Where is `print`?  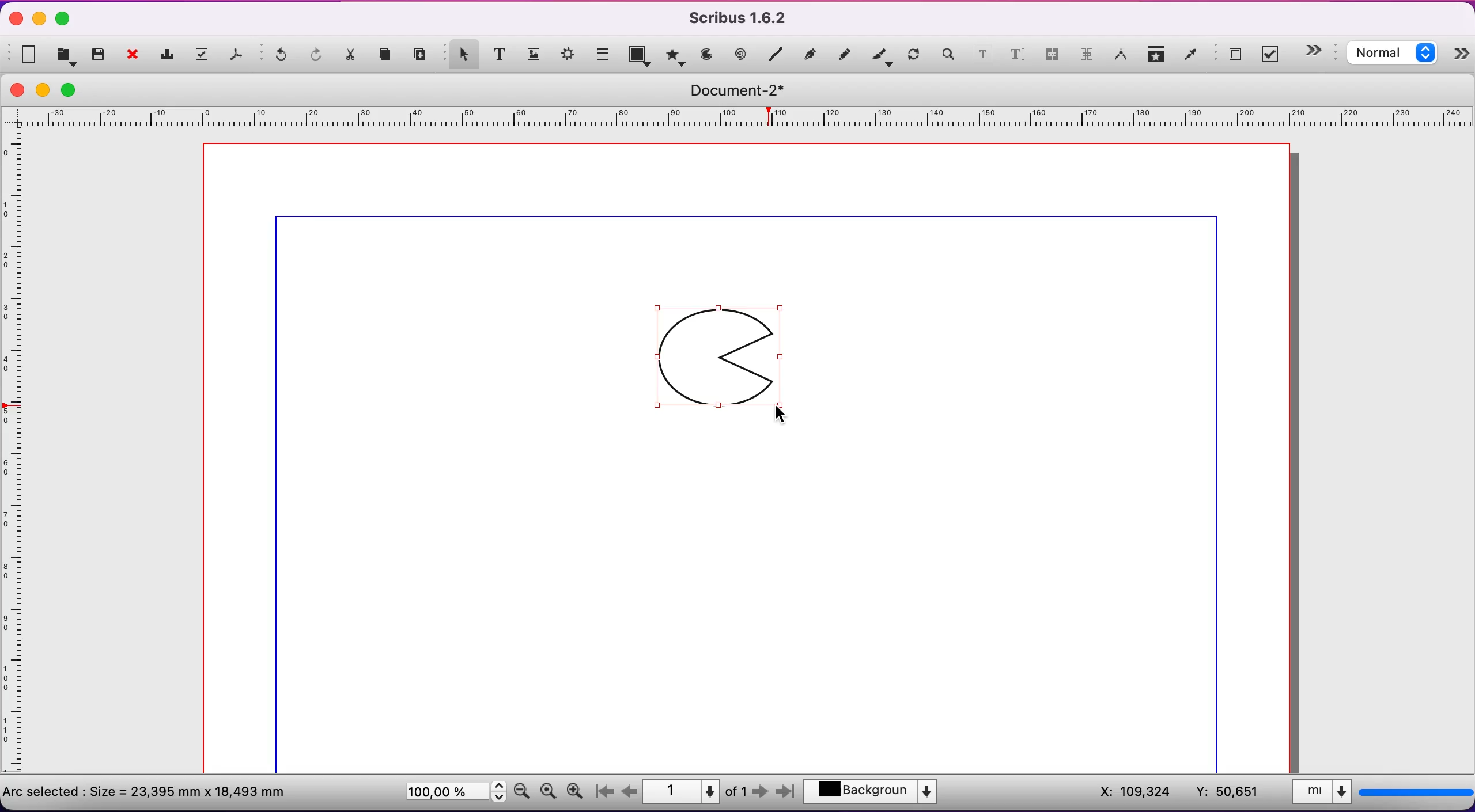 print is located at coordinates (170, 55).